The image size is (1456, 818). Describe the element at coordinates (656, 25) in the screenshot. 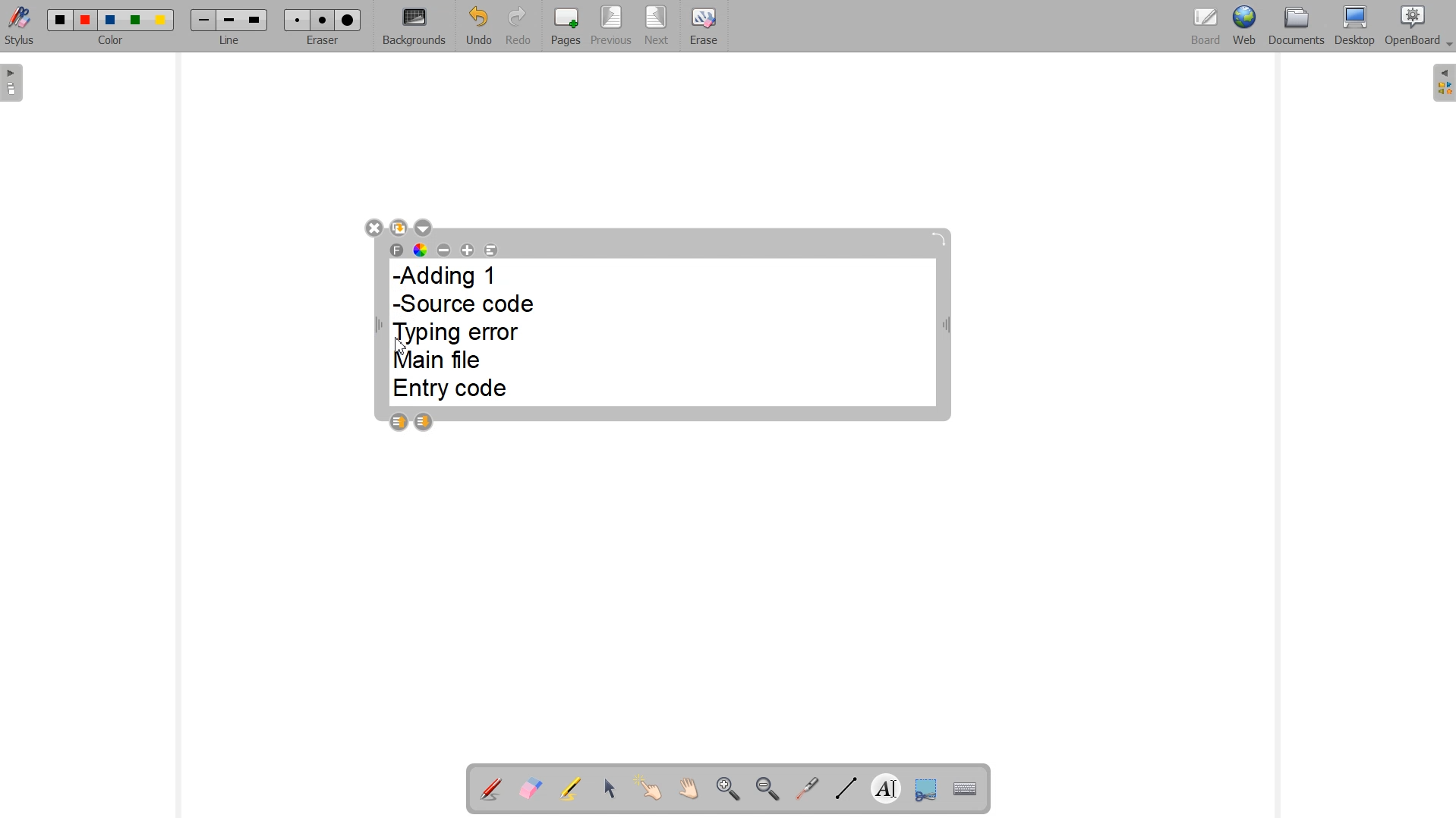

I see `Next` at that location.